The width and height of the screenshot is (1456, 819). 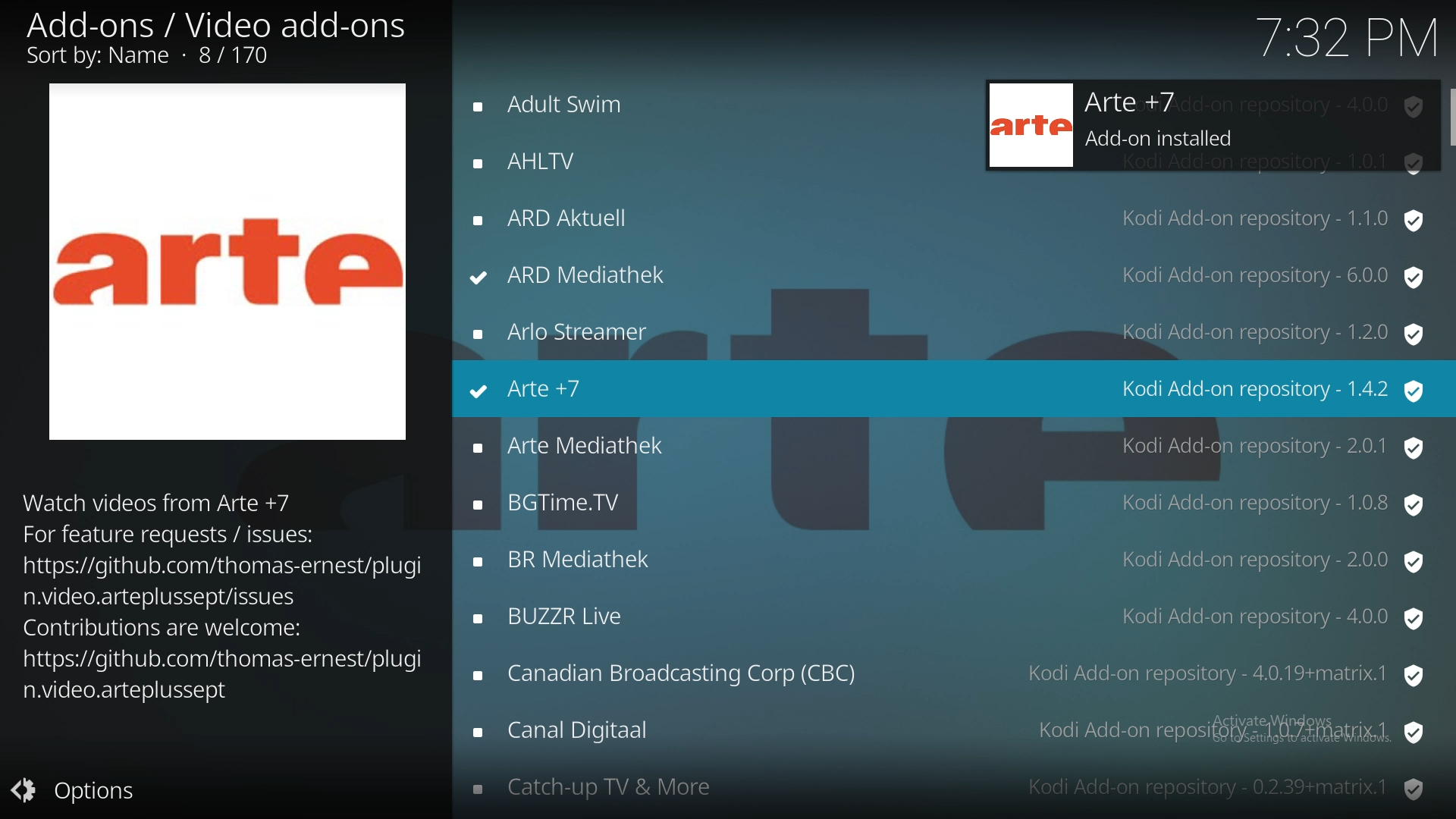 What do you see at coordinates (229, 259) in the screenshot?
I see `photo` at bounding box center [229, 259].